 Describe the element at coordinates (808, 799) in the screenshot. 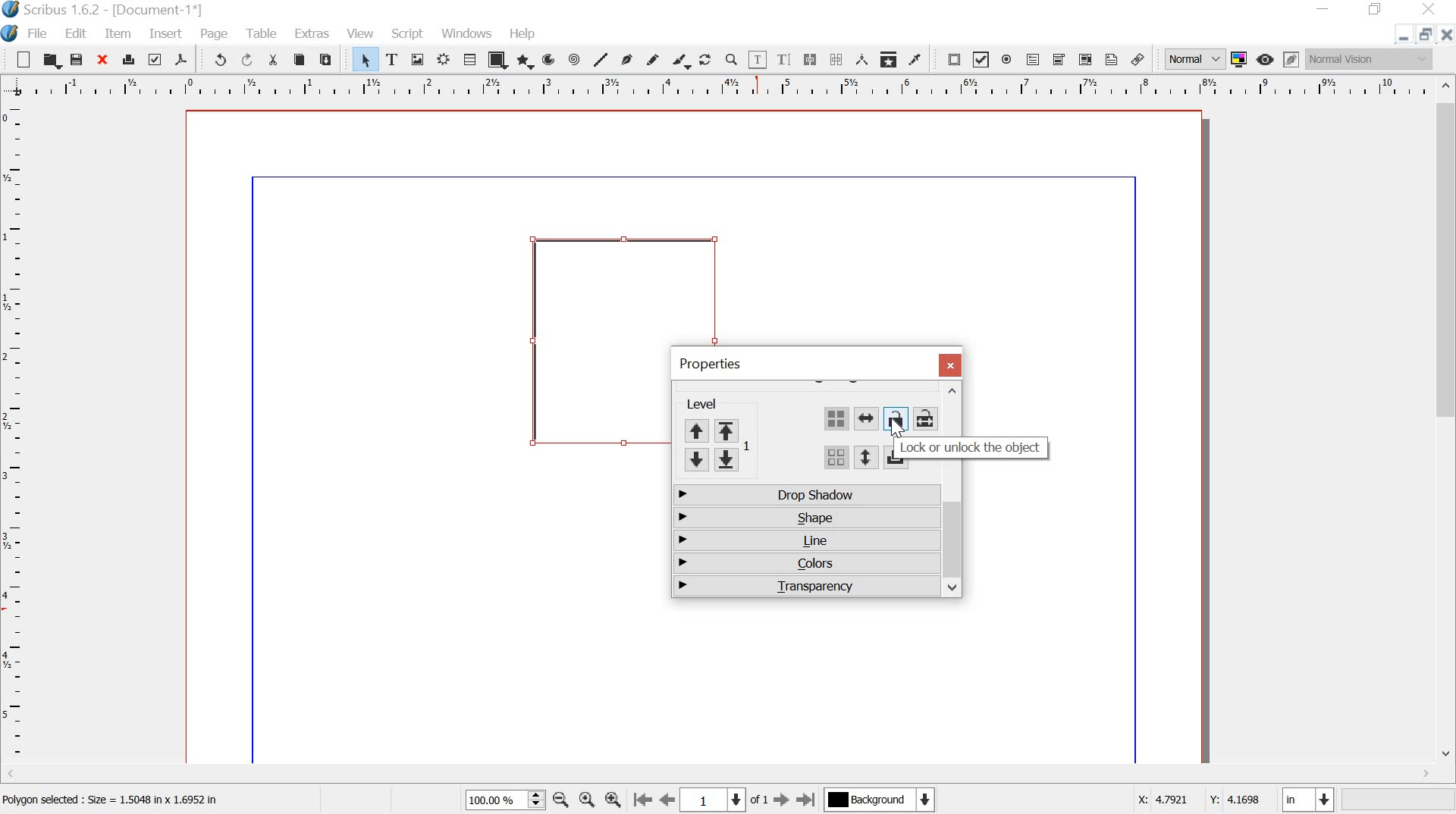

I see `go to last page` at that location.